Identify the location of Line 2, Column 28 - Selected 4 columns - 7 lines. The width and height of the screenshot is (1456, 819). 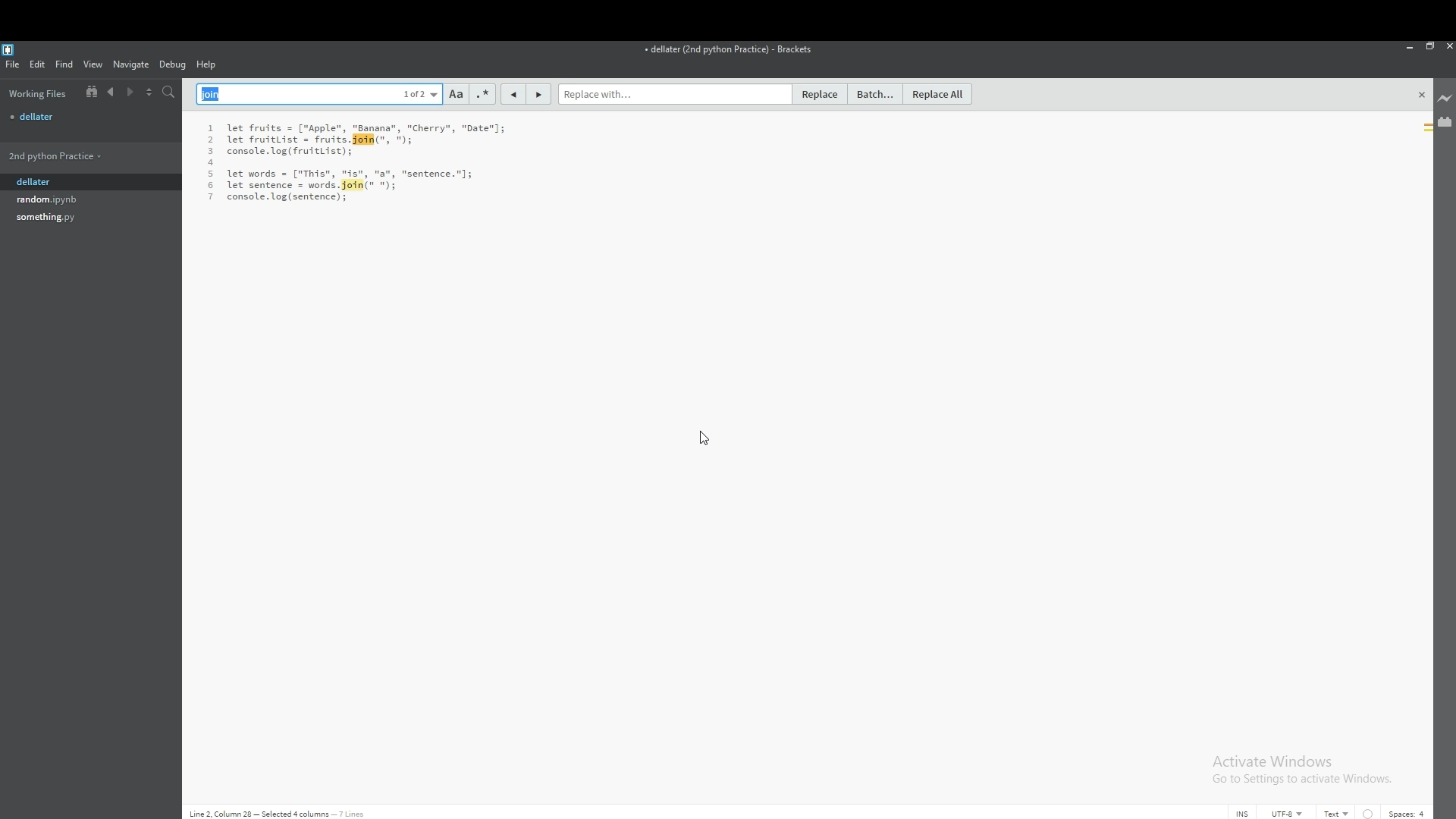
(297, 813).